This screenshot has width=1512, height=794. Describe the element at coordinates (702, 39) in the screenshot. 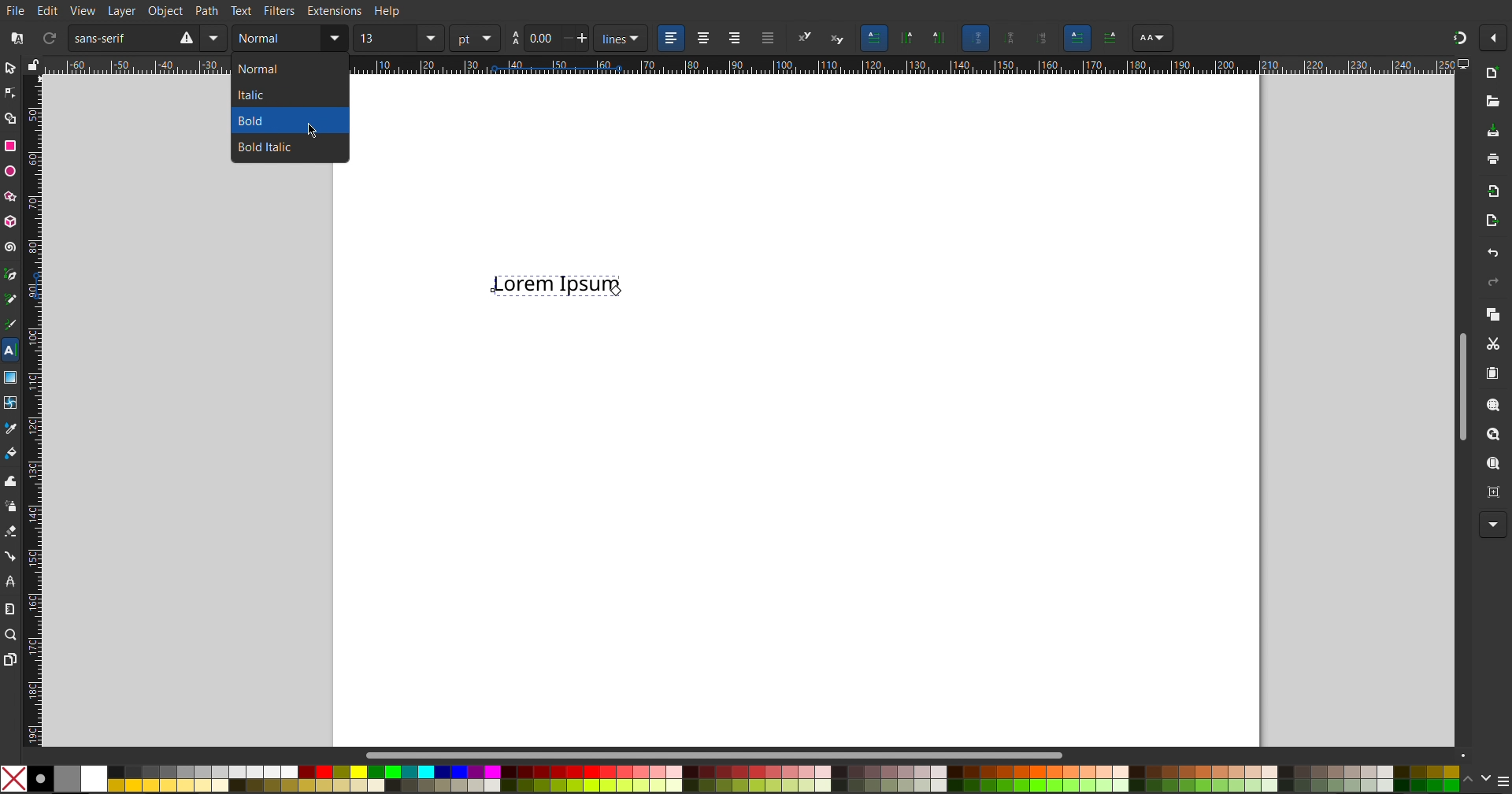

I see `Center Align` at that location.